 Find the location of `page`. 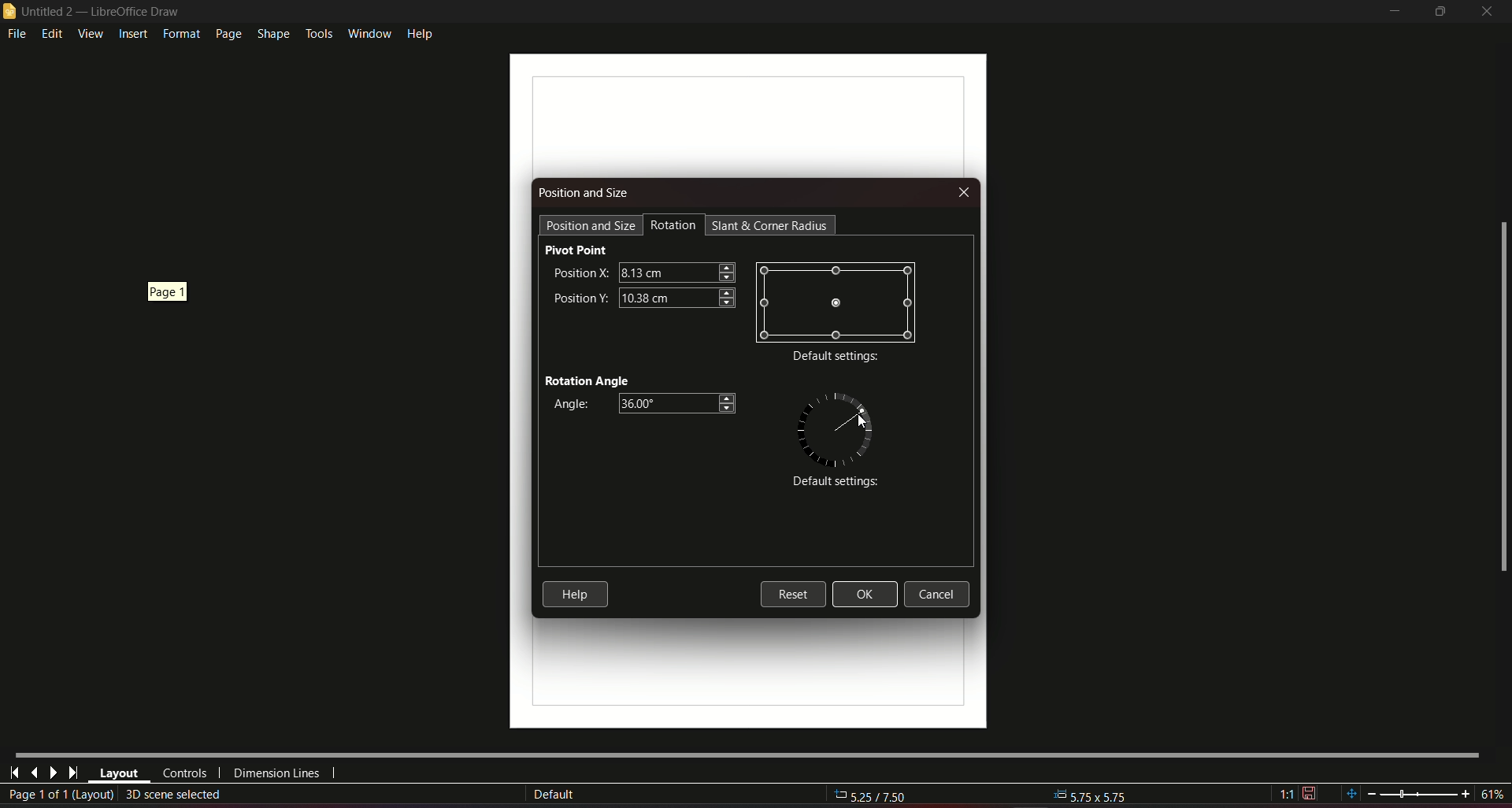

page is located at coordinates (227, 34).